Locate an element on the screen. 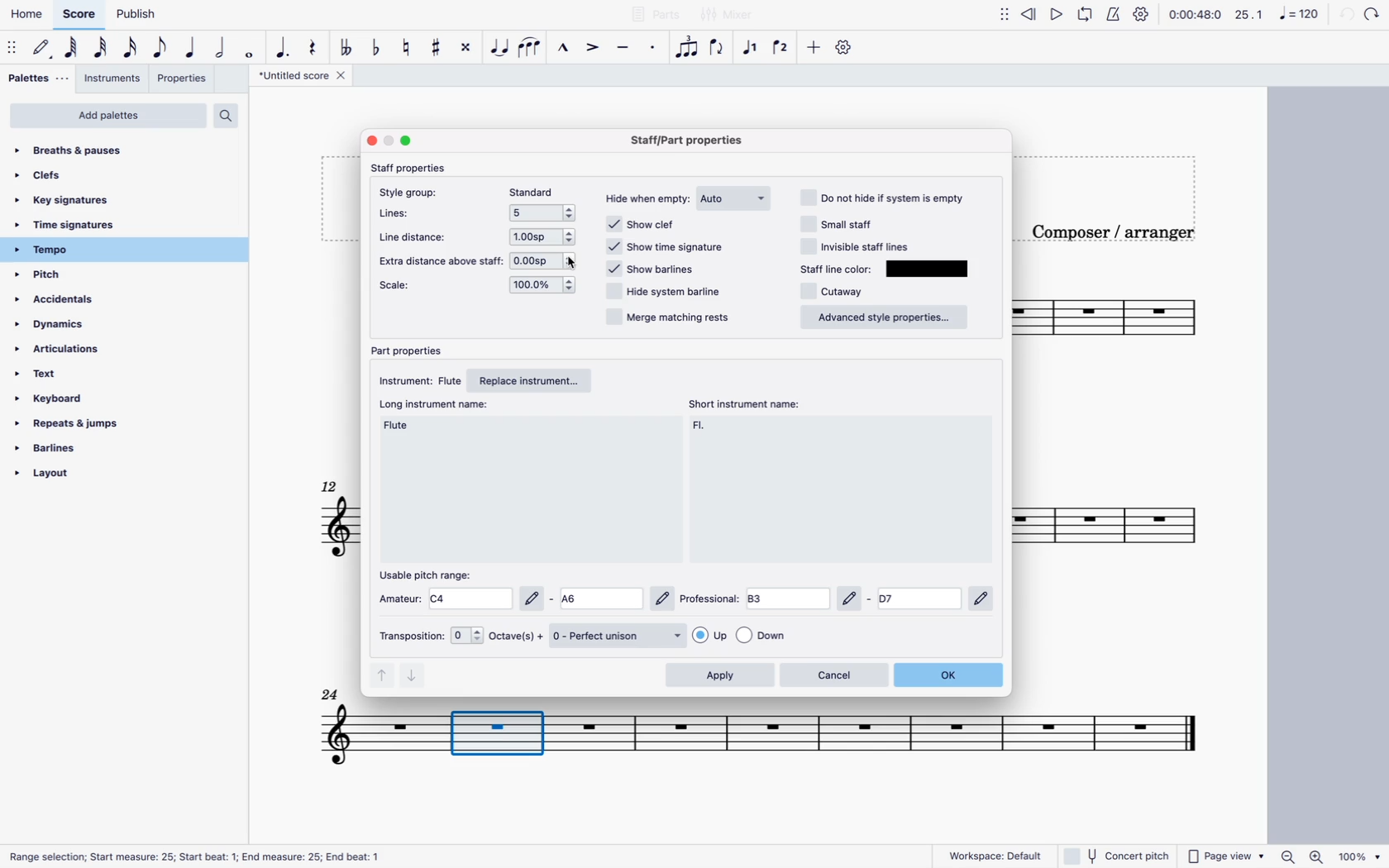  perfect unison is located at coordinates (619, 635).